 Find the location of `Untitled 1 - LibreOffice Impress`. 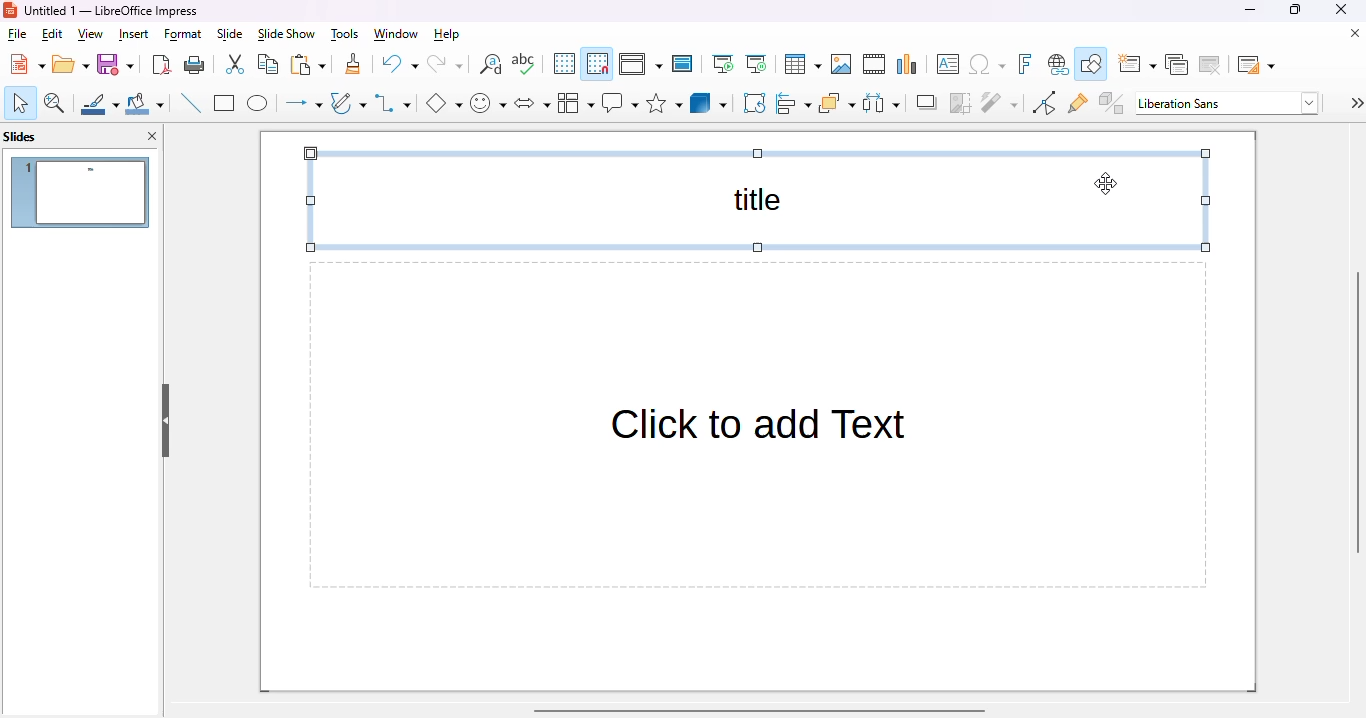

Untitled 1 - LibreOffice Impress is located at coordinates (112, 10).